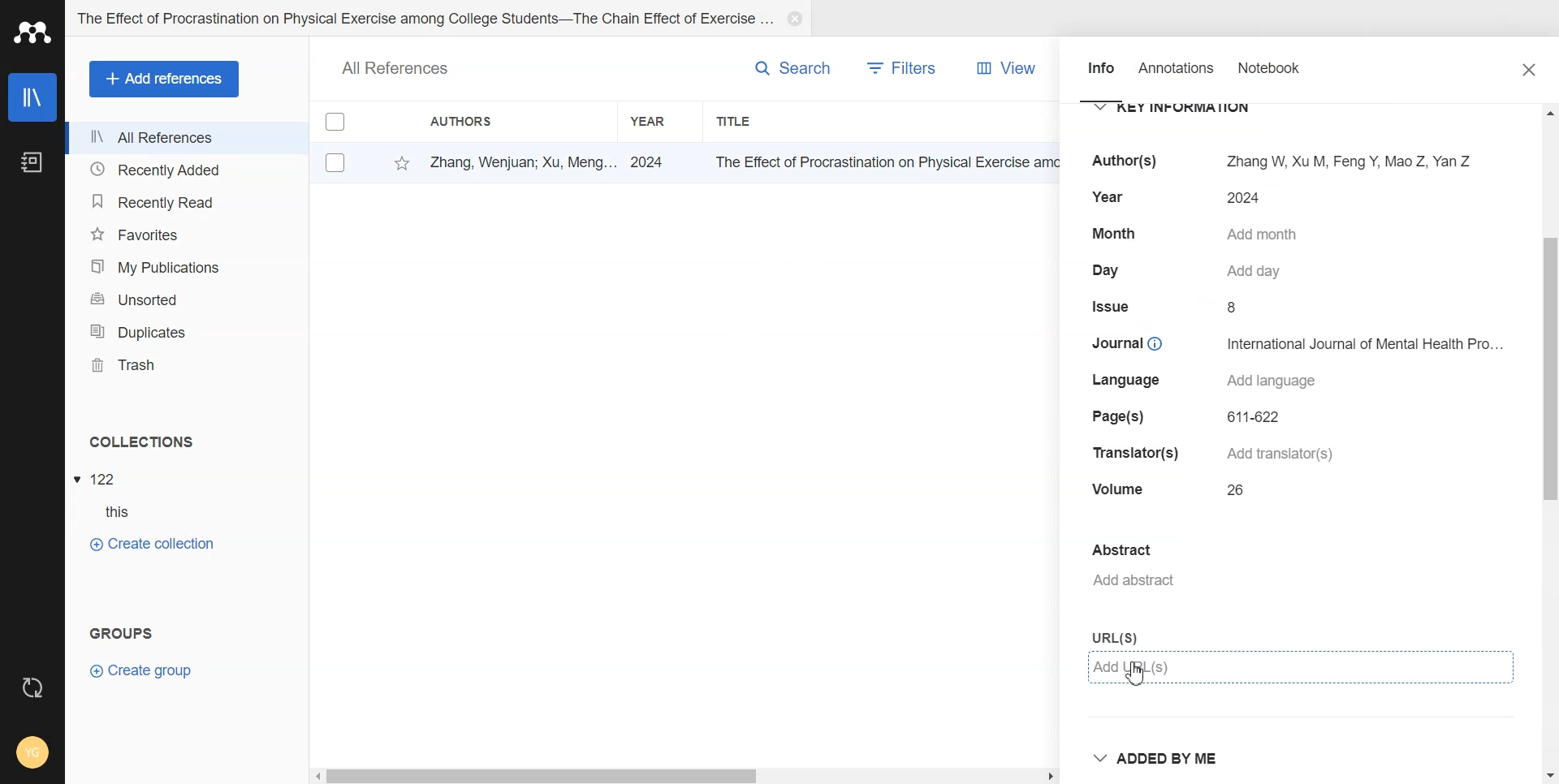 Image resolution: width=1559 pixels, height=784 pixels. What do you see at coordinates (684, 776) in the screenshot?
I see `Horizontal scroll bar` at bounding box center [684, 776].